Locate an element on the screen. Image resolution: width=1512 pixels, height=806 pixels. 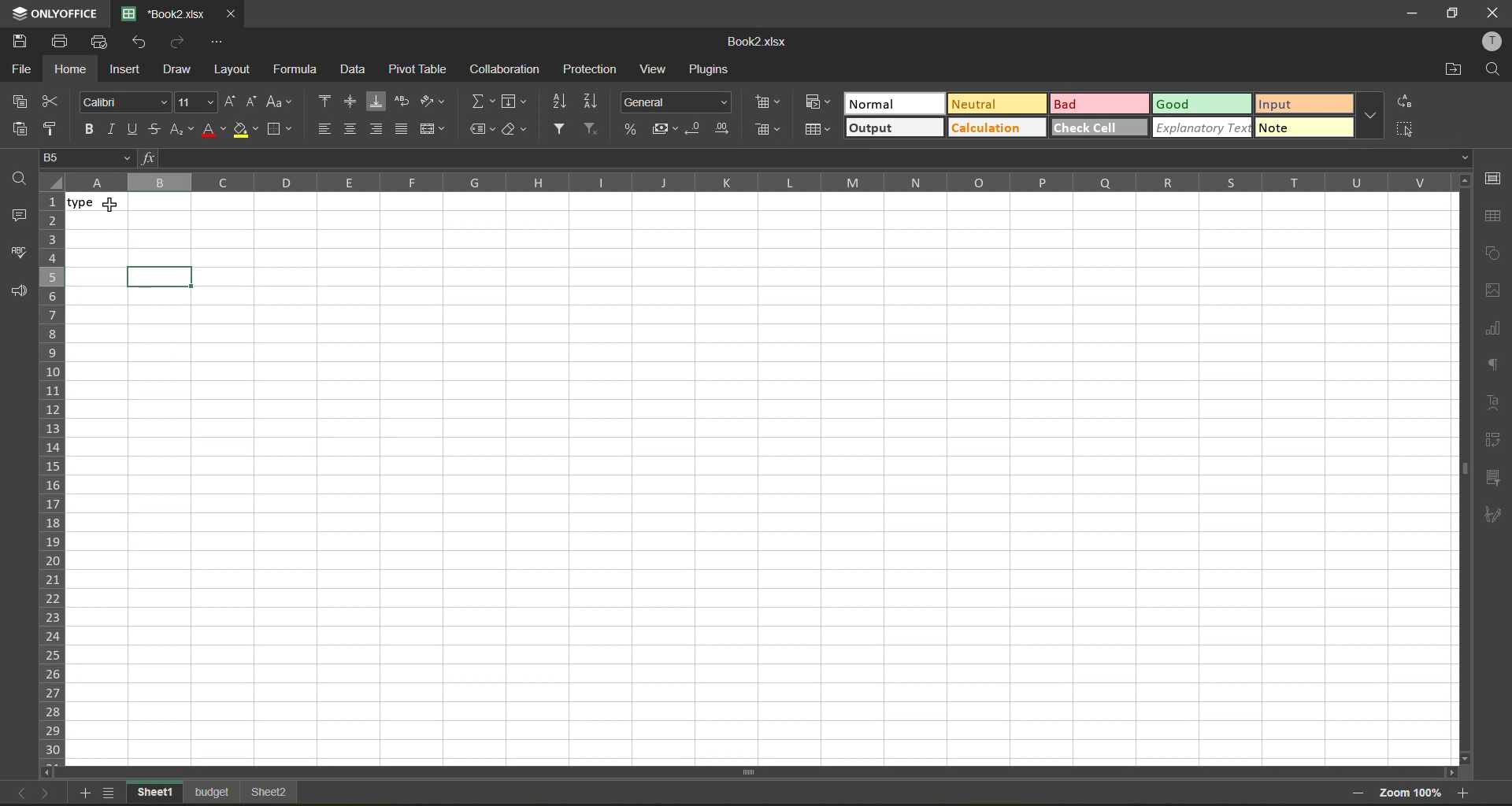
good is located at coordinates (1203, 105).